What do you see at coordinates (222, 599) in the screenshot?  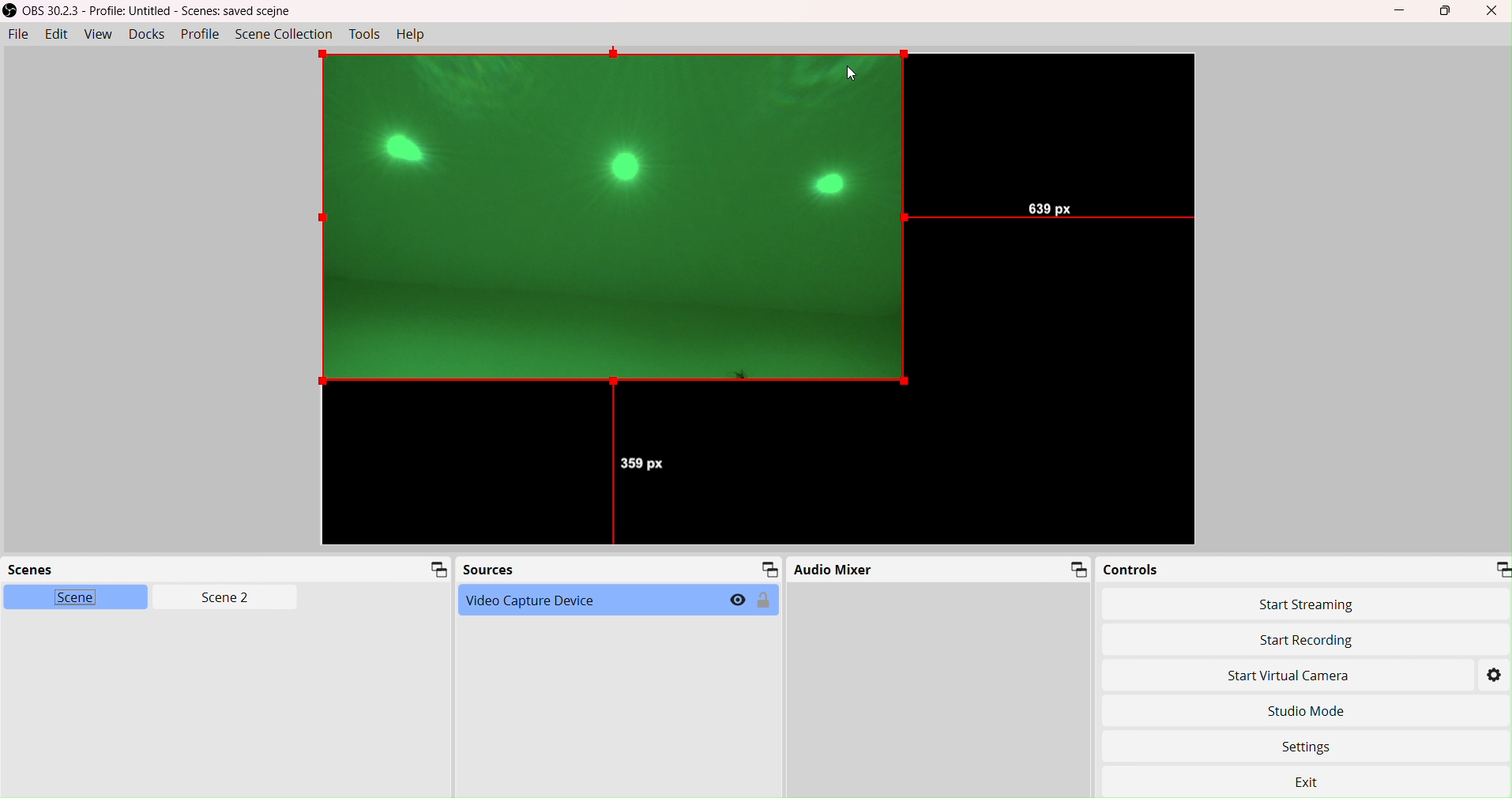 I see `Scen2` at bounding box center [222, 599].